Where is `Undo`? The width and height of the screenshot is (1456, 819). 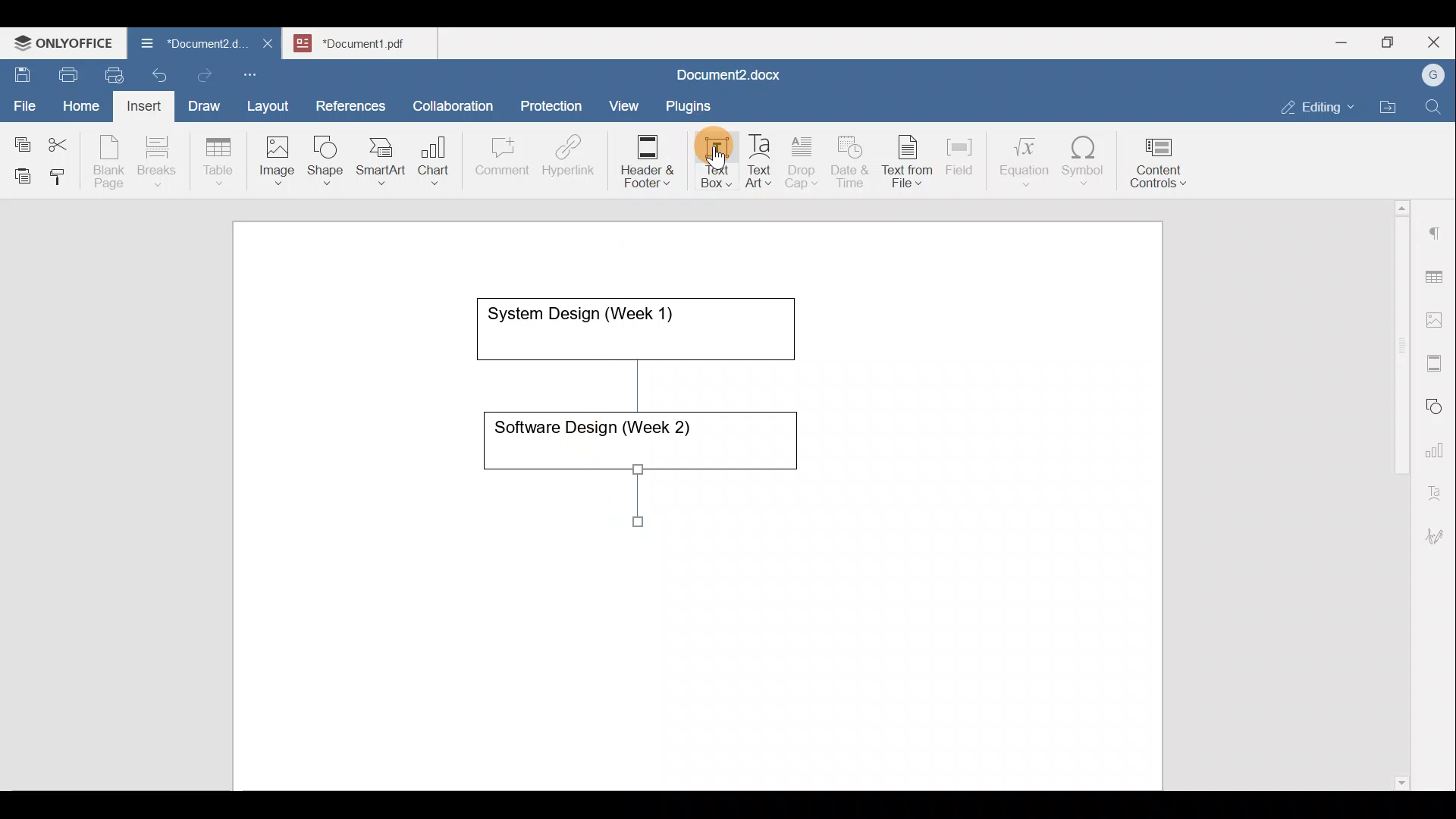
Undo is located at coordinates (156, 73).